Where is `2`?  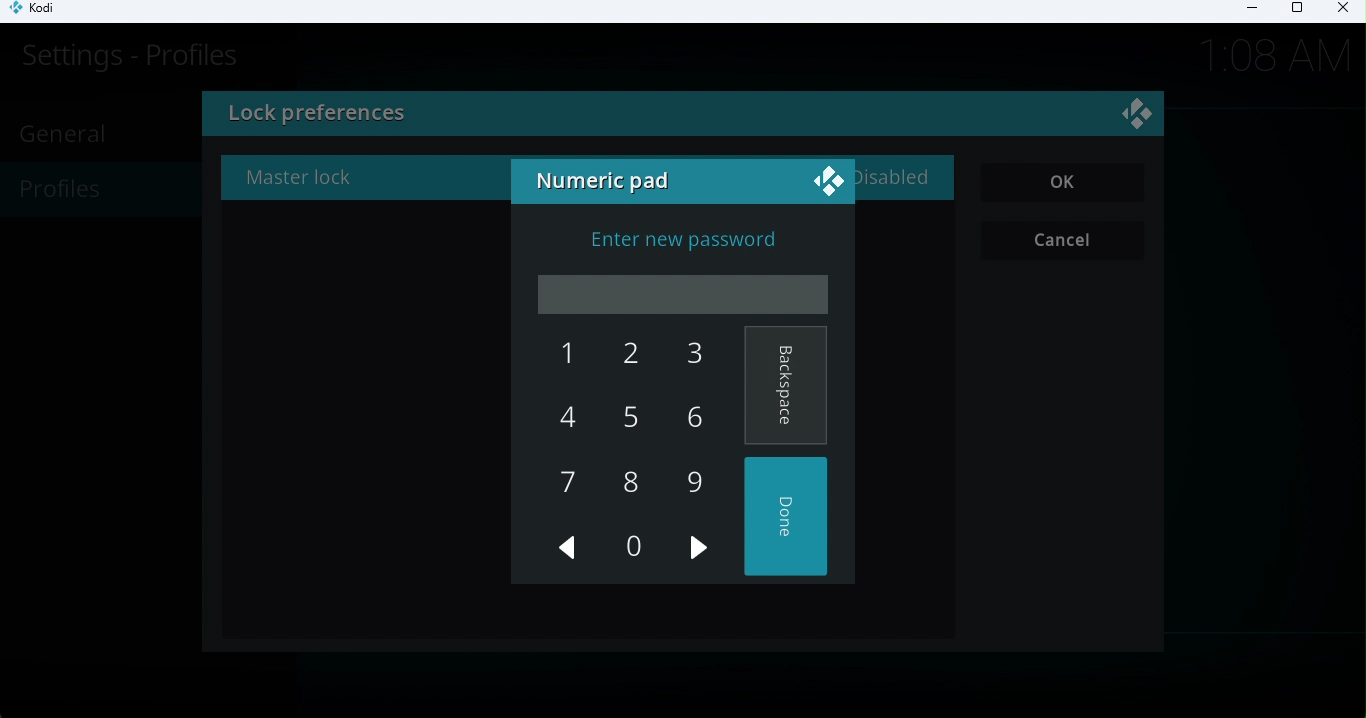 2 is located at coordinates (624, 357).